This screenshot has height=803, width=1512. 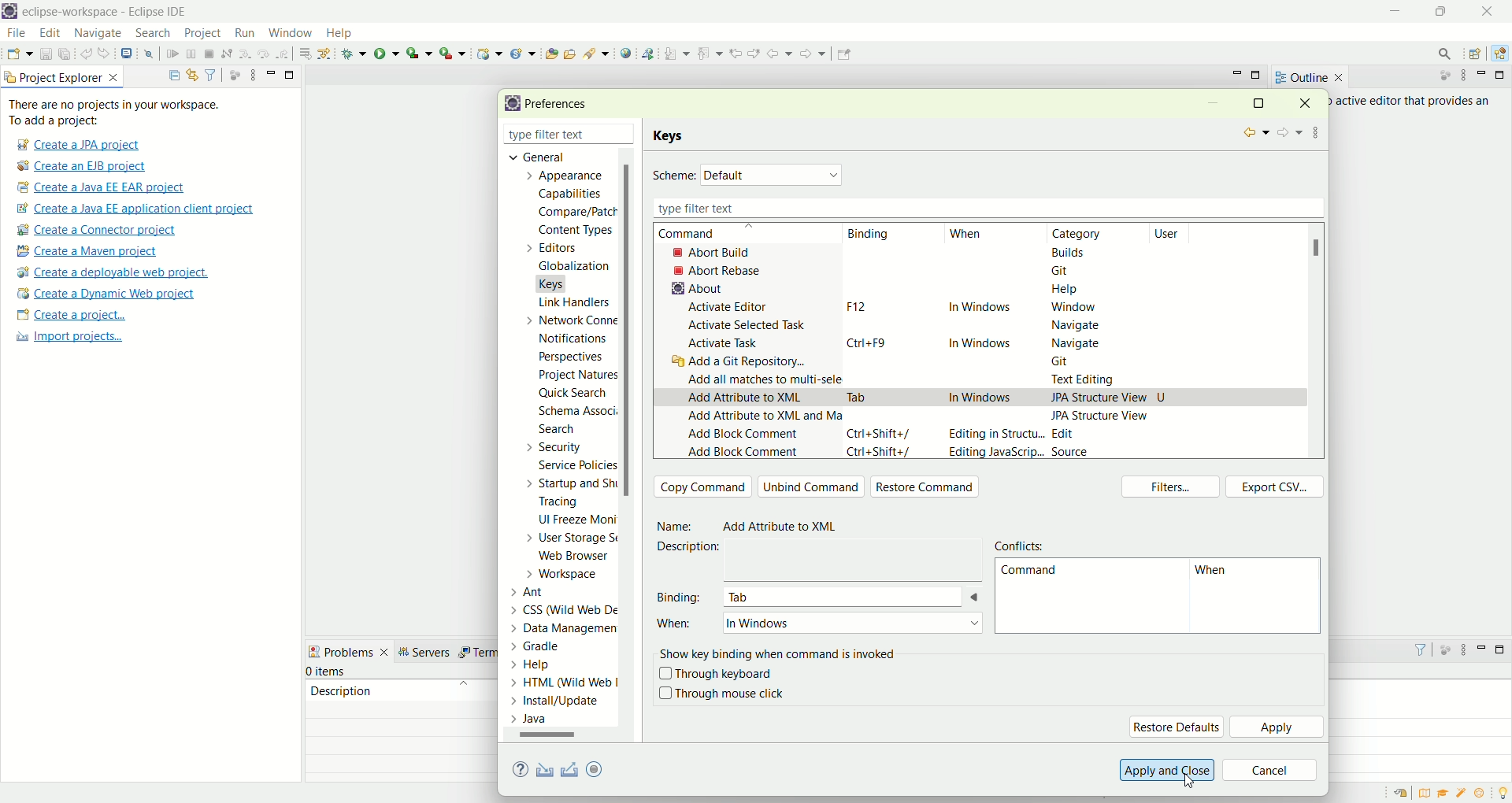 I want to click on scroll bar, so click(x=632, y=446).